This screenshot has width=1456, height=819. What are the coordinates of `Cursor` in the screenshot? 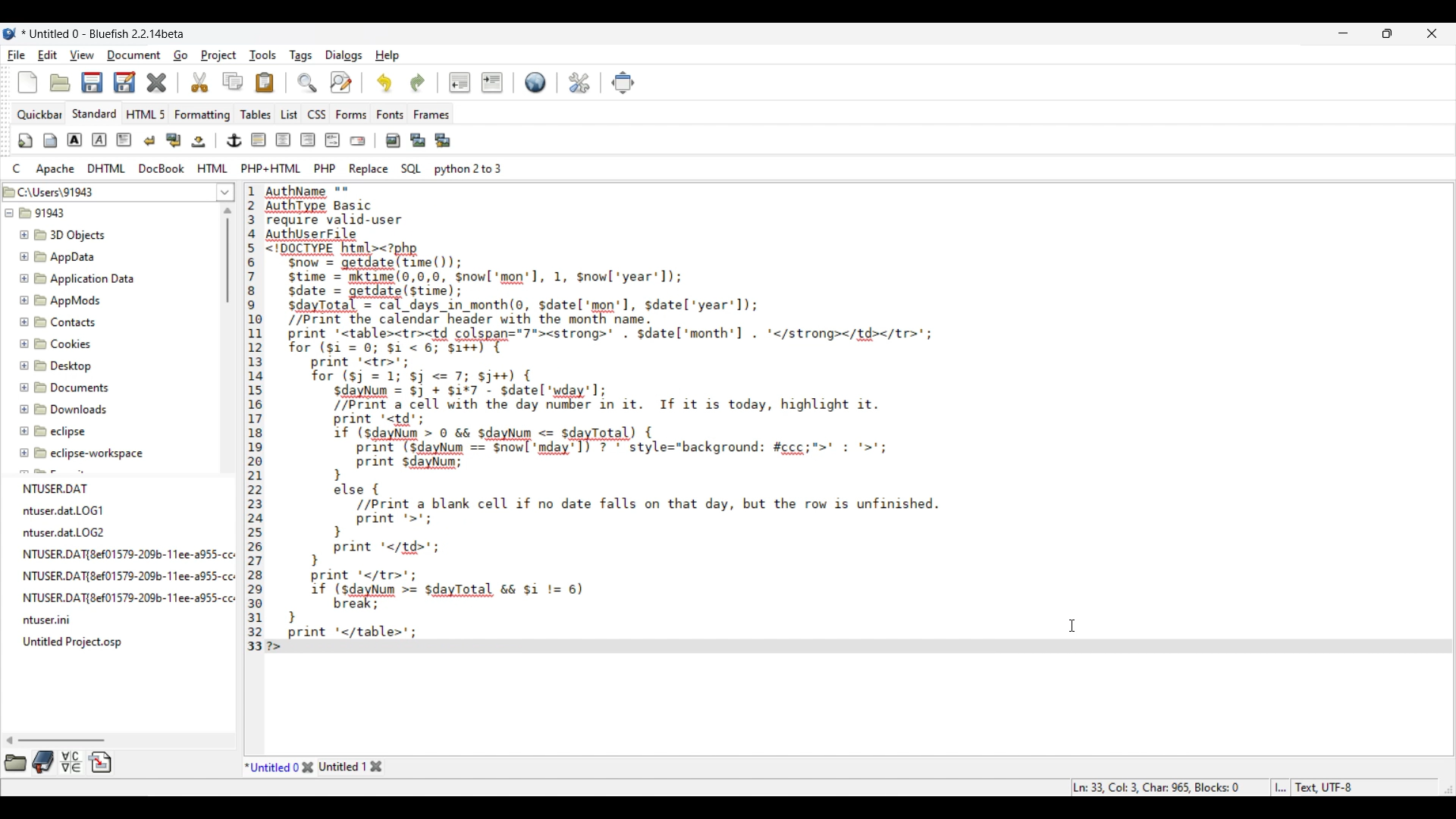 It's located at (1072, 626).